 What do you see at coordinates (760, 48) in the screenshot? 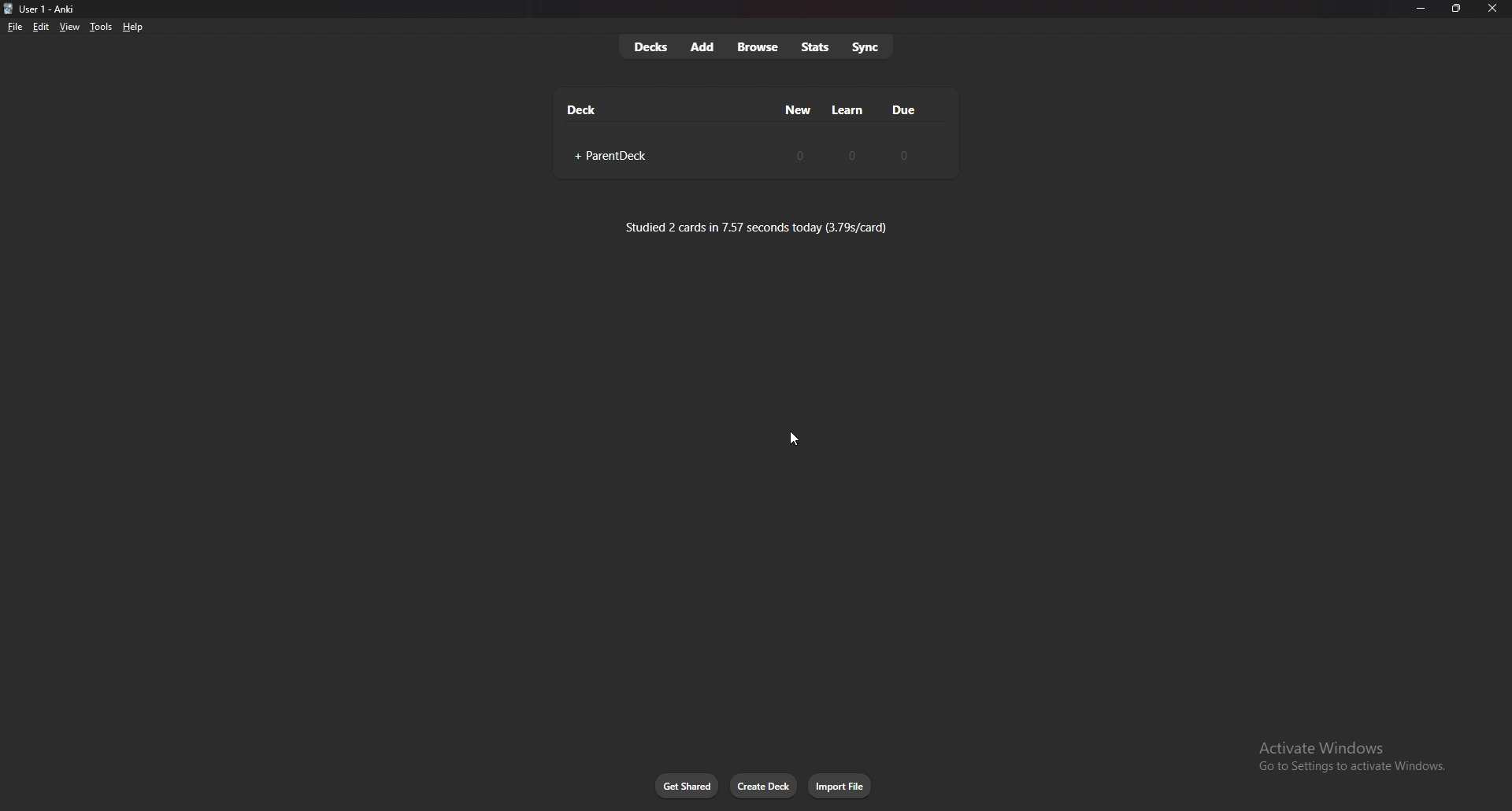
I see `browse` at bounding box center [760, 48].